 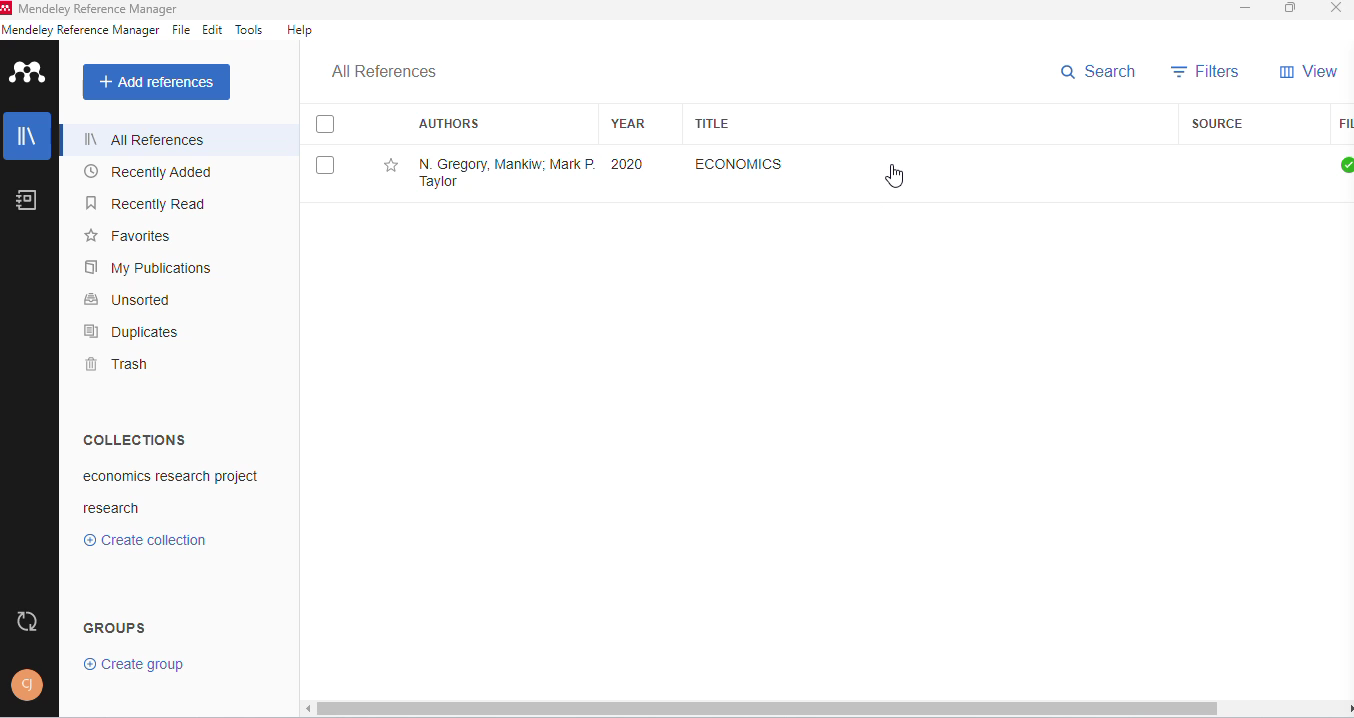 What do you see at coordinates (1205, 72) in the screenshot?
I see `filters` at bounding box center [1205, 72].